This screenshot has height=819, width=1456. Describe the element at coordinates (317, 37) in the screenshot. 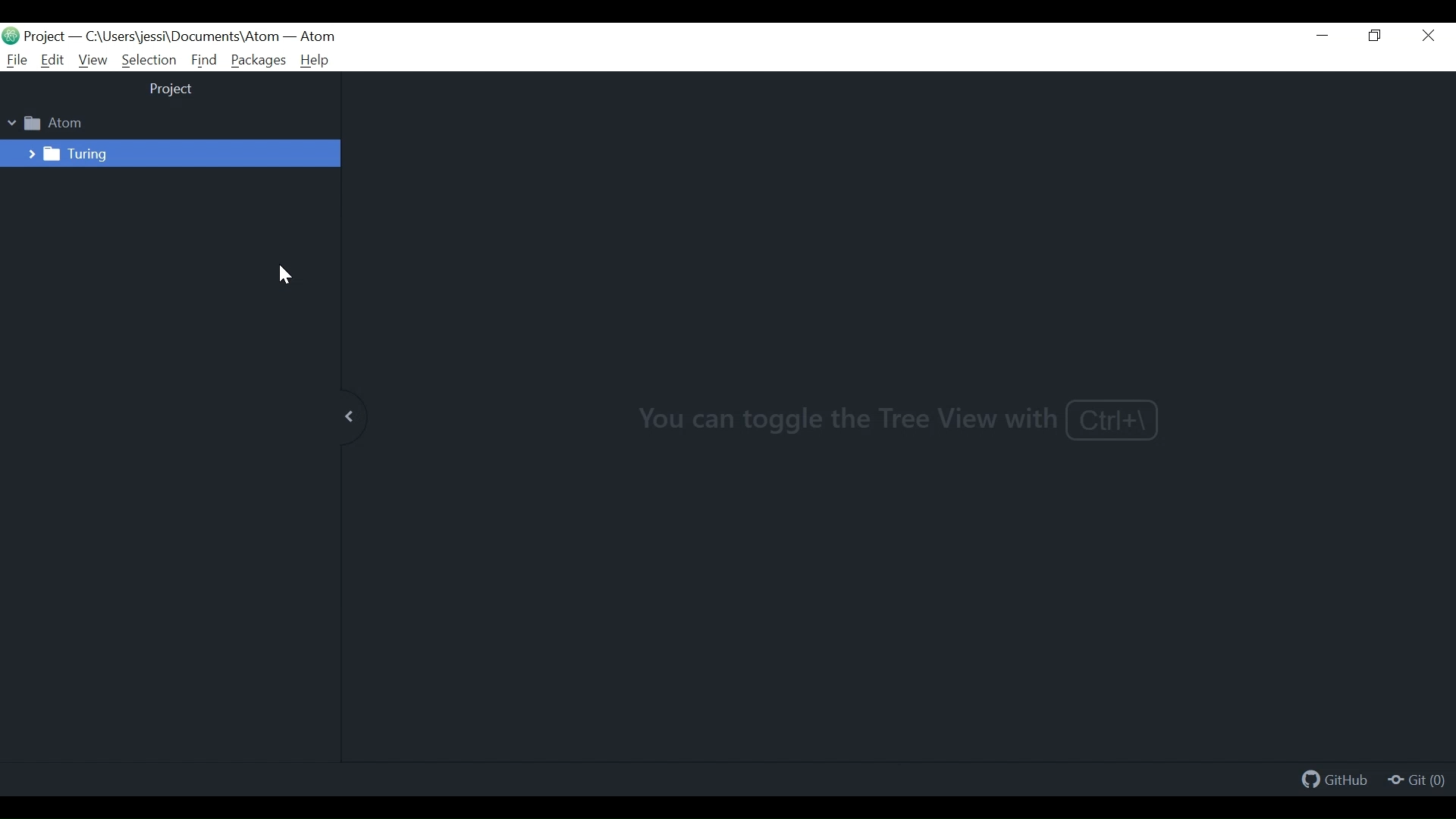

I see `Atom` at that location.